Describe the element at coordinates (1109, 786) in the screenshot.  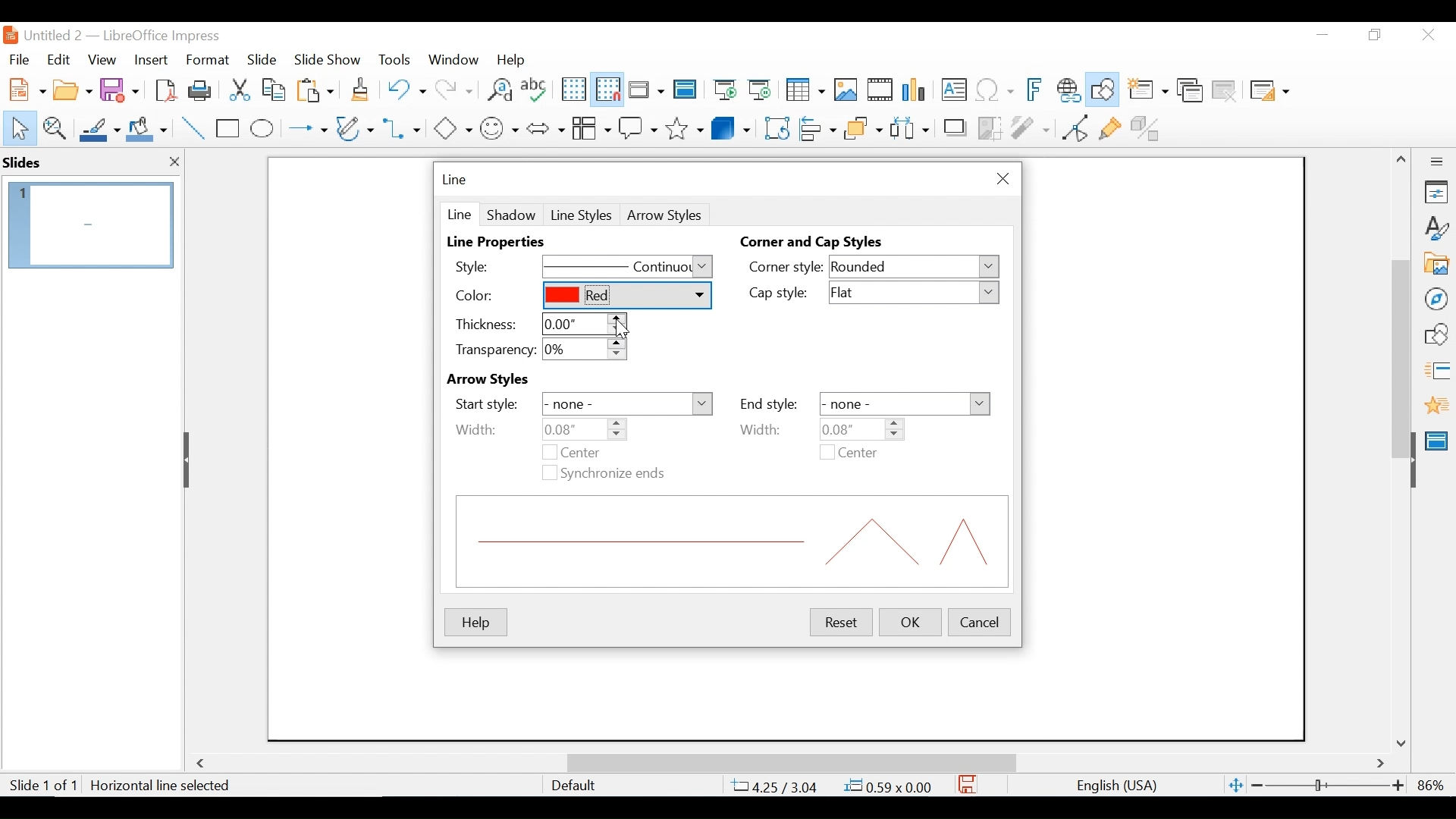
I see `English(USA)` at that location.